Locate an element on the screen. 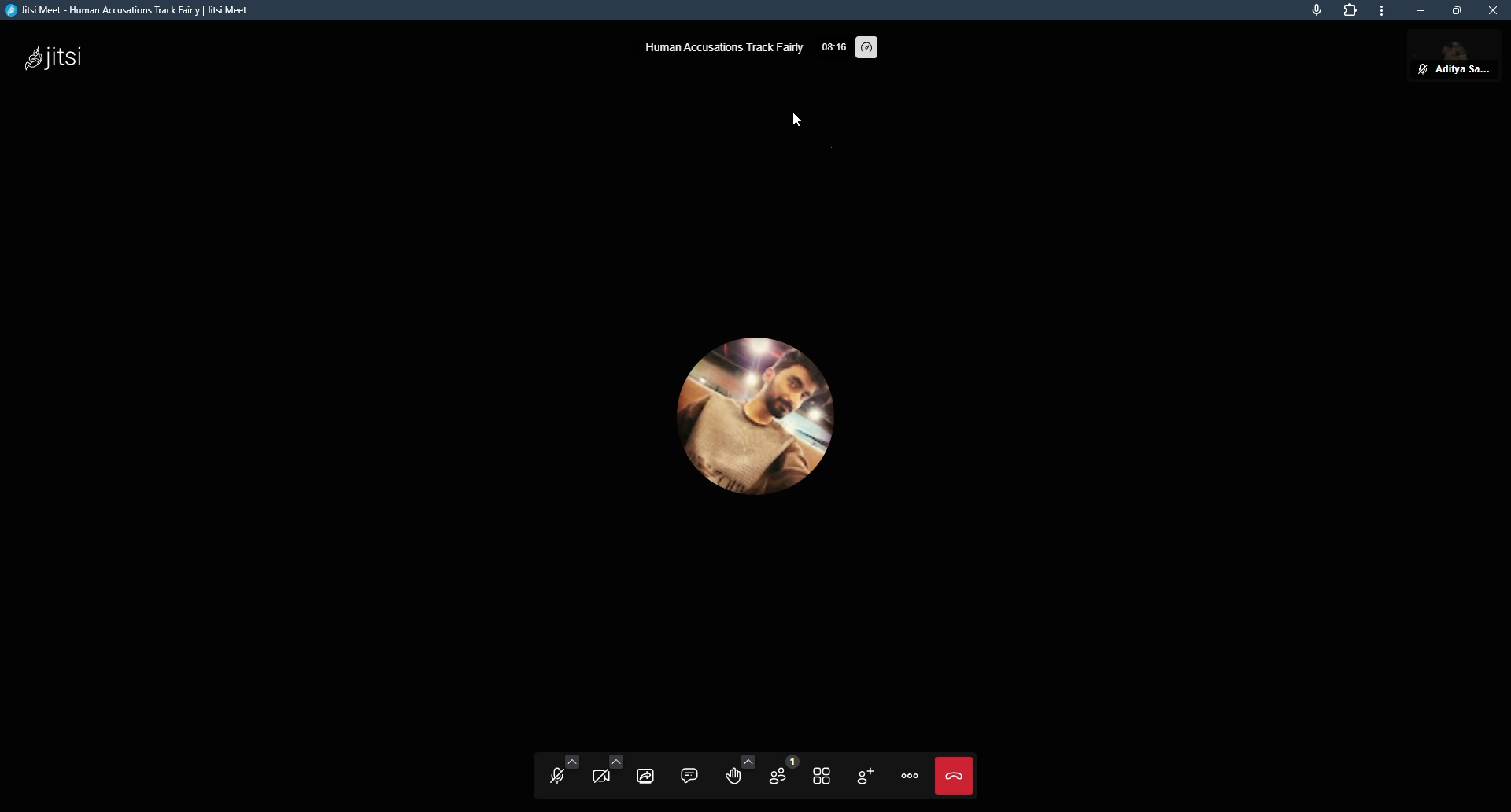 This screenshot has height=812, width=1511. human accusations track fairly is located at coordinates (714, 48).